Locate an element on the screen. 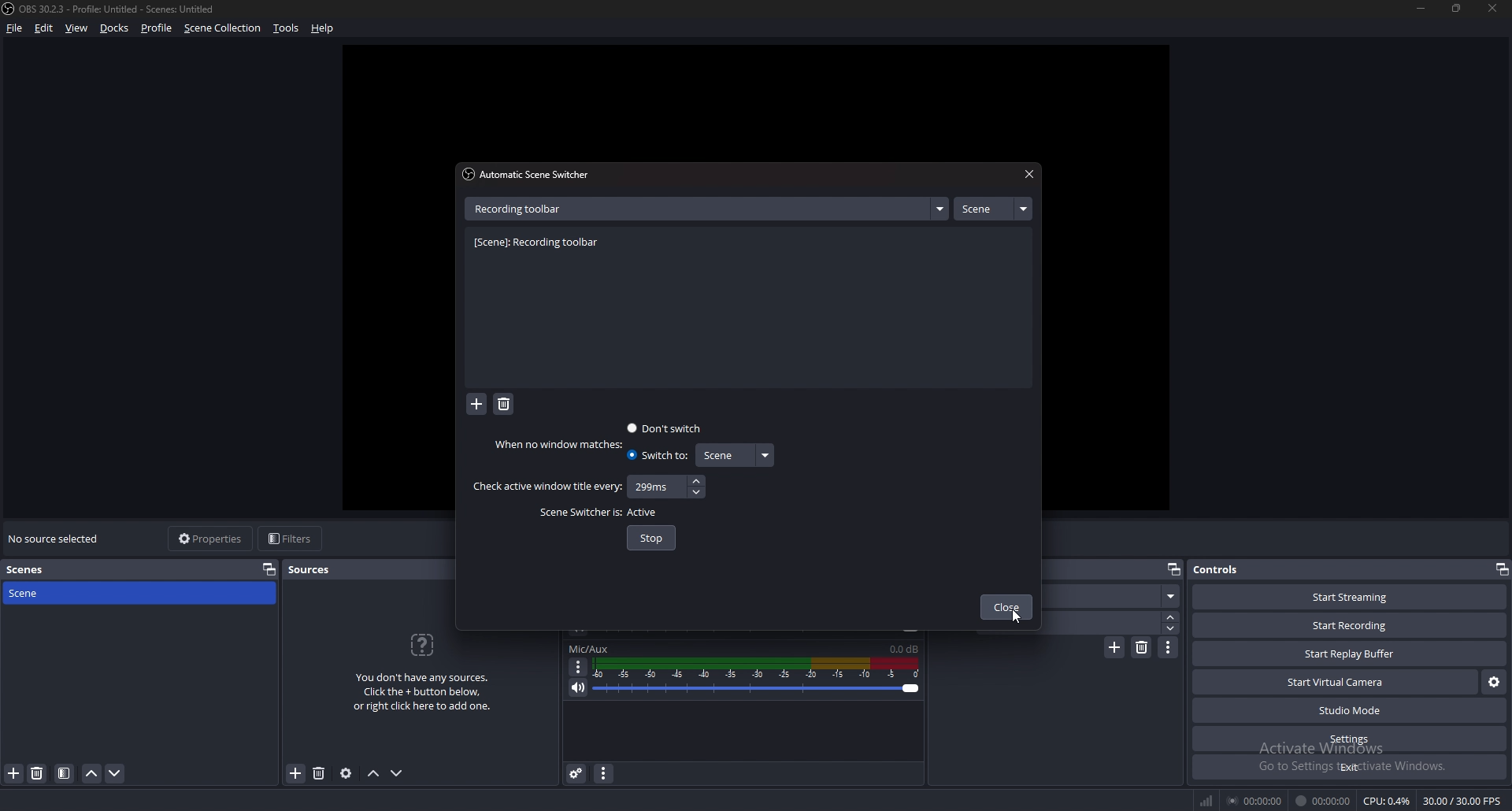  network is located at coordinates (1208, 800).